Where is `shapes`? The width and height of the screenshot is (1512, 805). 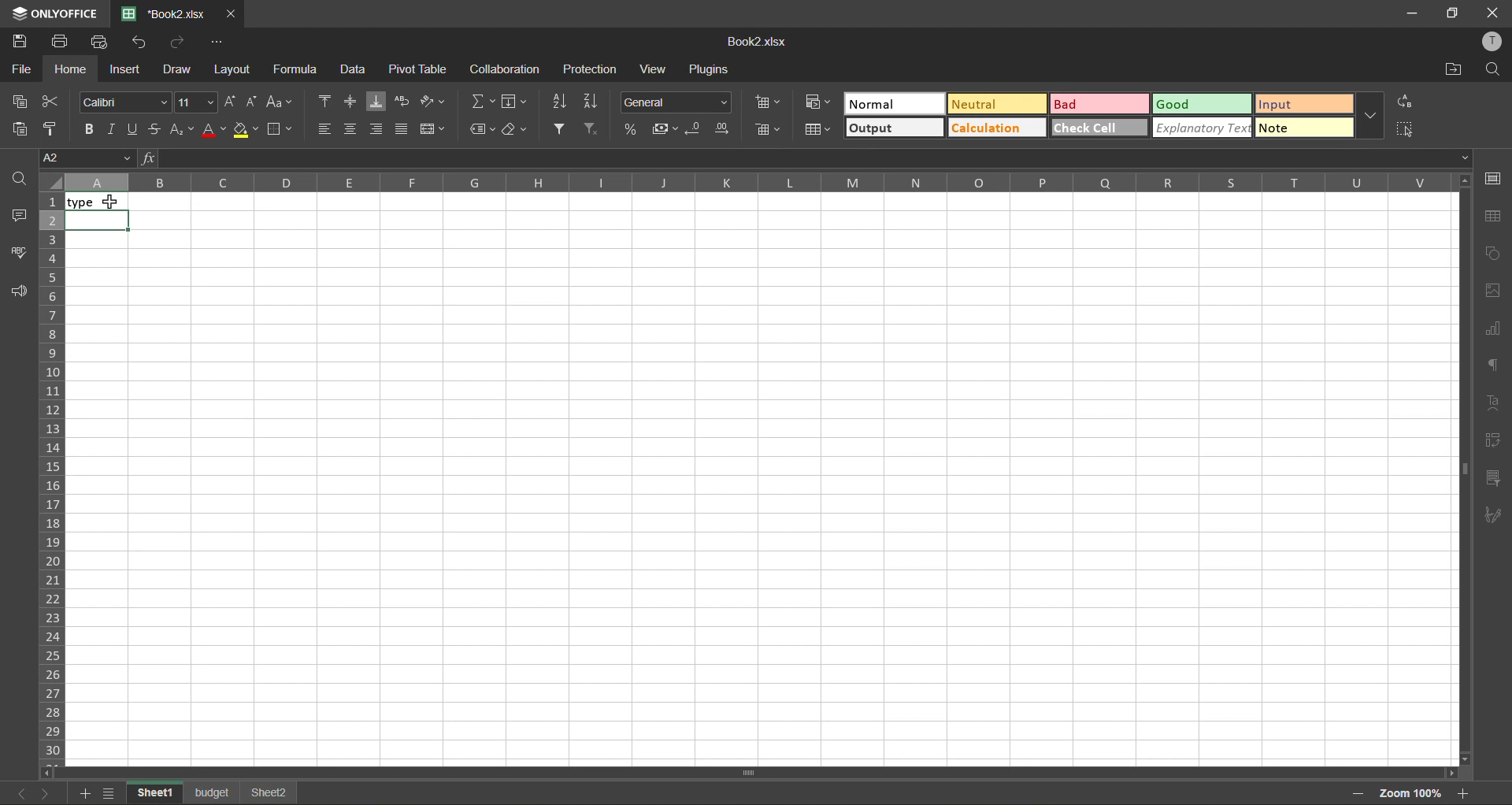 shapes is located at coordinates (1495, 257).